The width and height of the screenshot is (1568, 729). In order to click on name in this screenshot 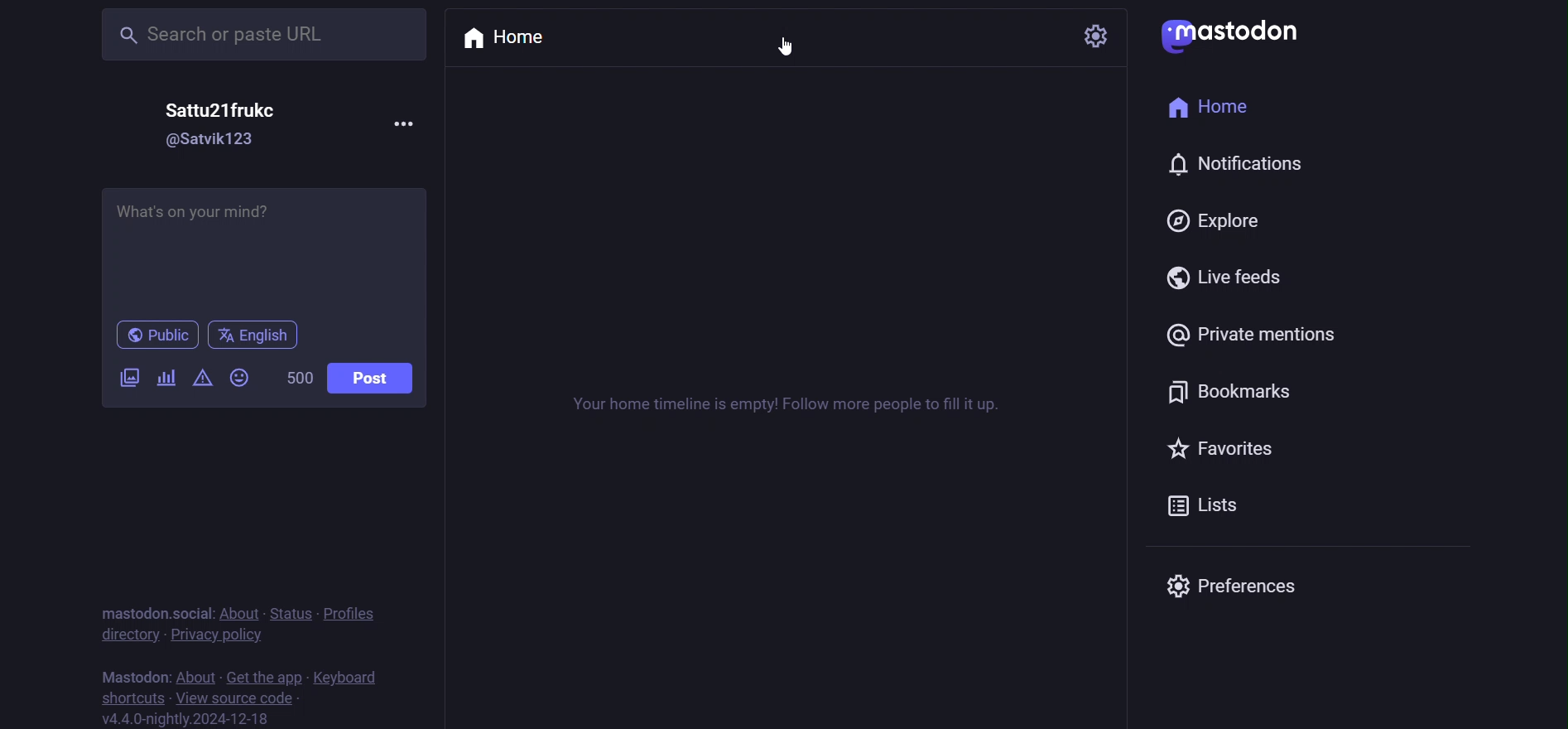, I will do `click(218, 109)`.